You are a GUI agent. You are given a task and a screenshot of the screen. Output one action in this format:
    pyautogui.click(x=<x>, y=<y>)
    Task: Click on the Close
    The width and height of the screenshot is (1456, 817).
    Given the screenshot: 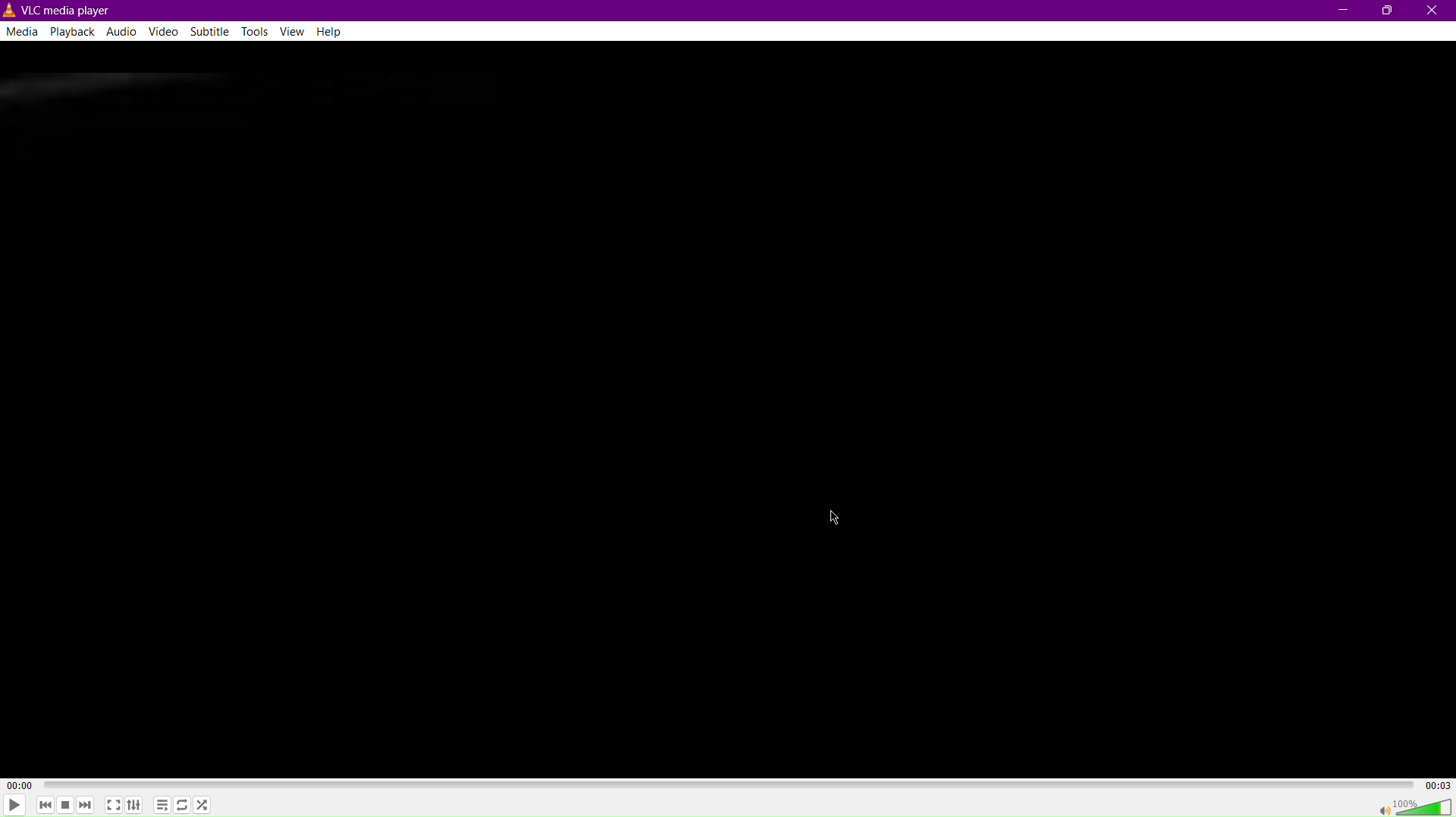 What is the action you would take?
    pyautogui.click(x=1433, y=11)
    